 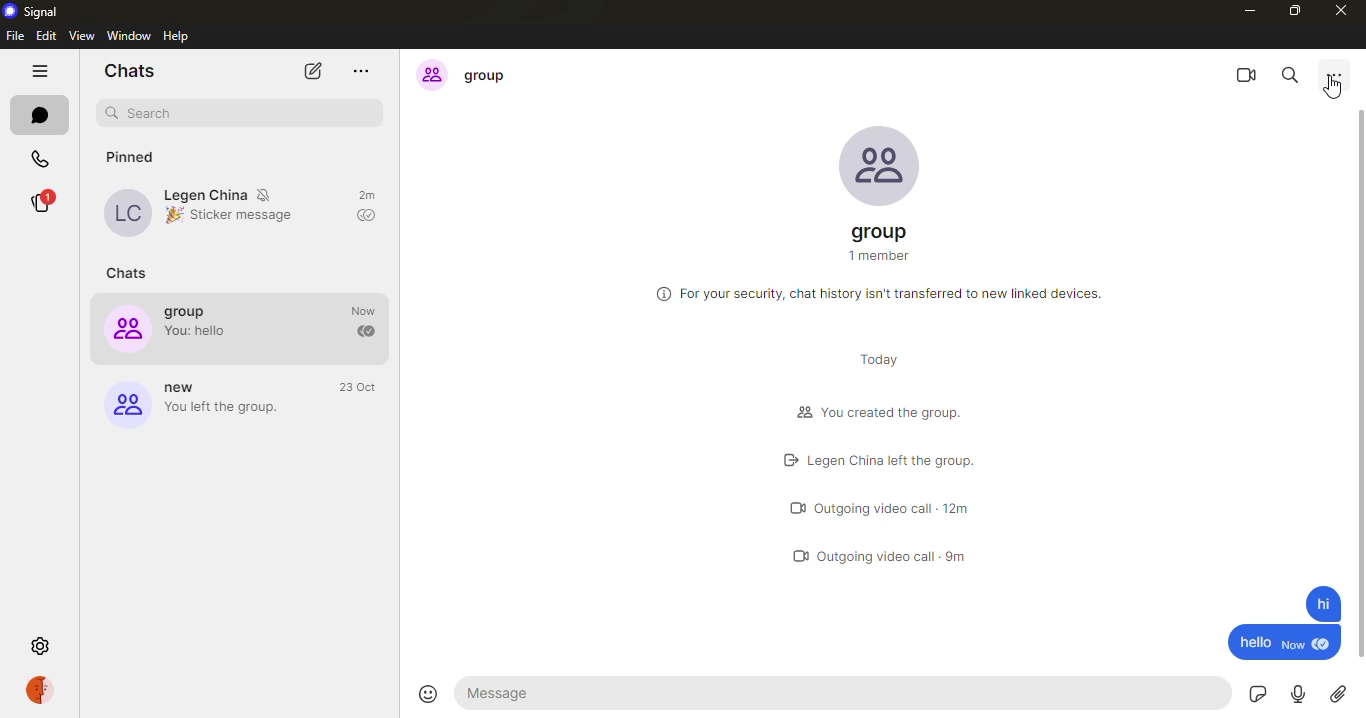 I want to click on today, so click(x=886, y=358).